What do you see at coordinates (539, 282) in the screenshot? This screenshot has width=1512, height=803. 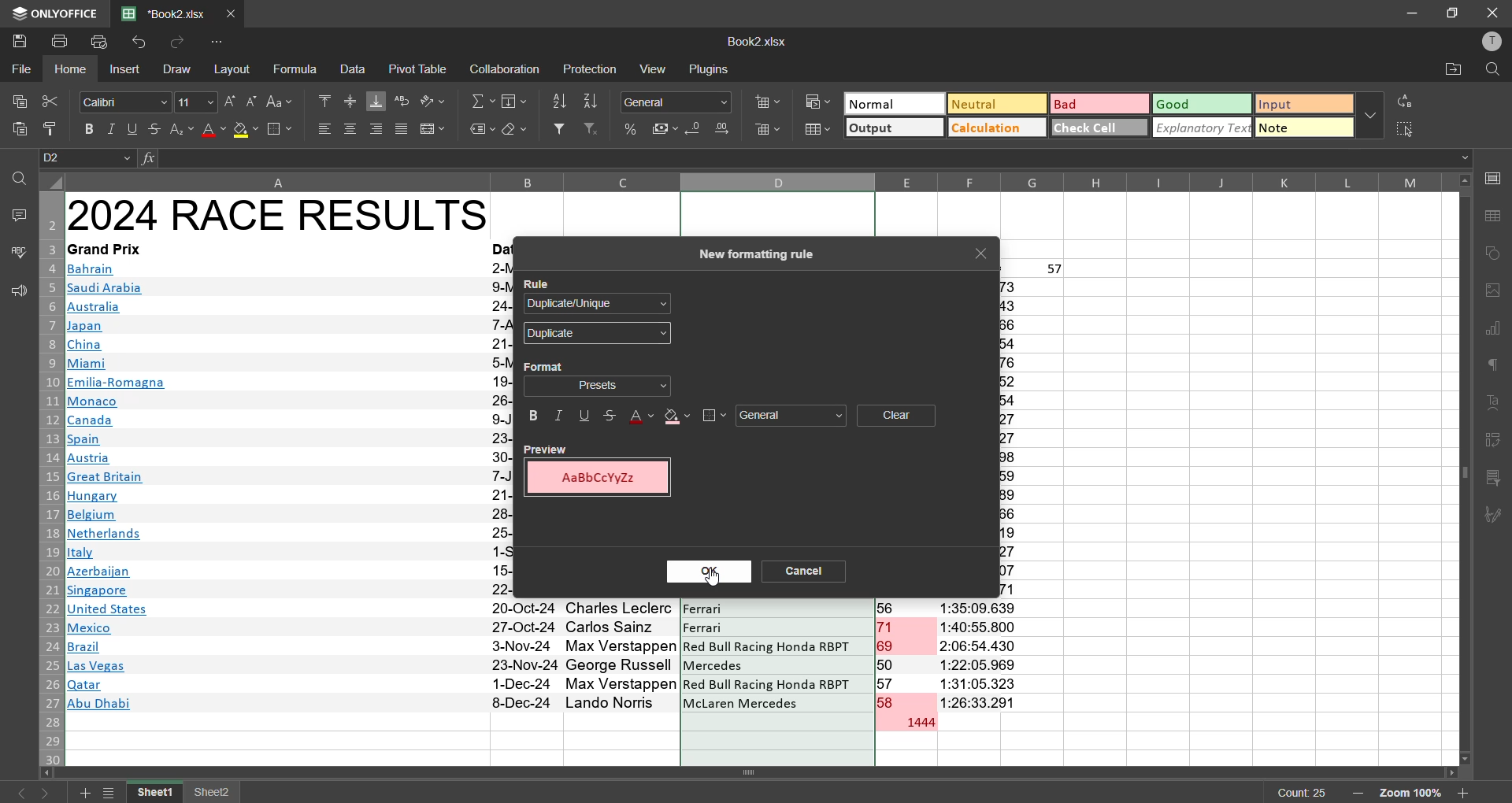 I see `rule` at bounding box center [539, 282].